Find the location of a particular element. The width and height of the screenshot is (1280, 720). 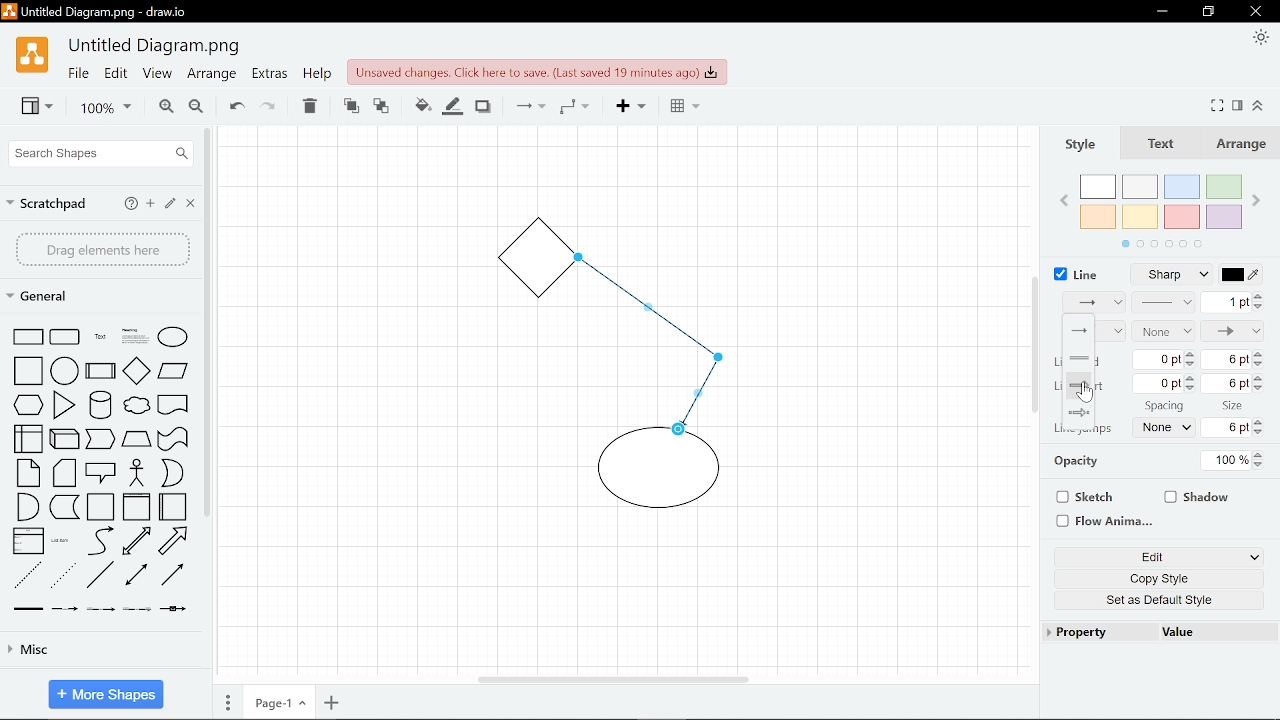

6pt is located at coordinates (1230, 428).